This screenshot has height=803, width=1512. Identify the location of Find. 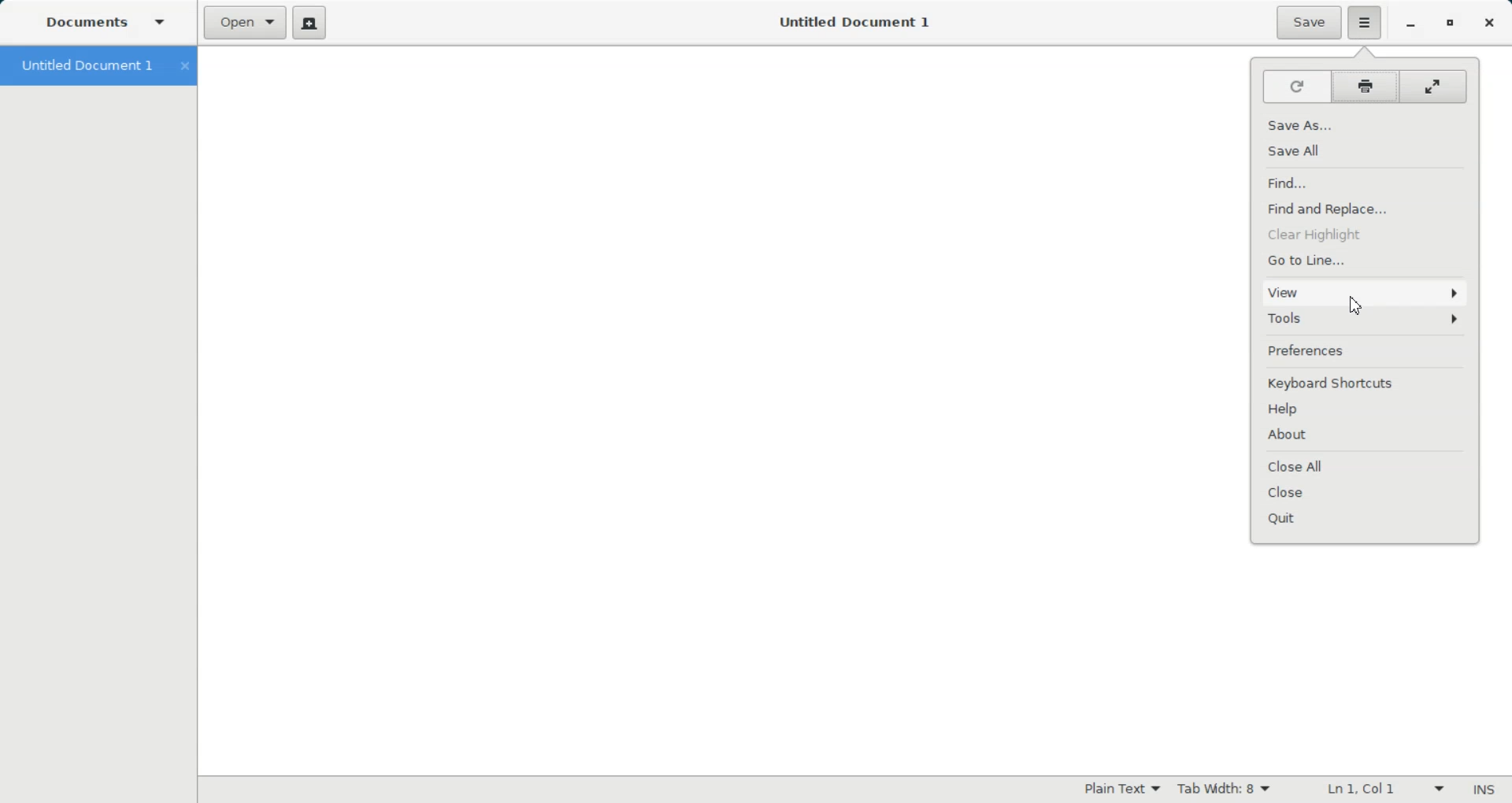
(1365, 181).